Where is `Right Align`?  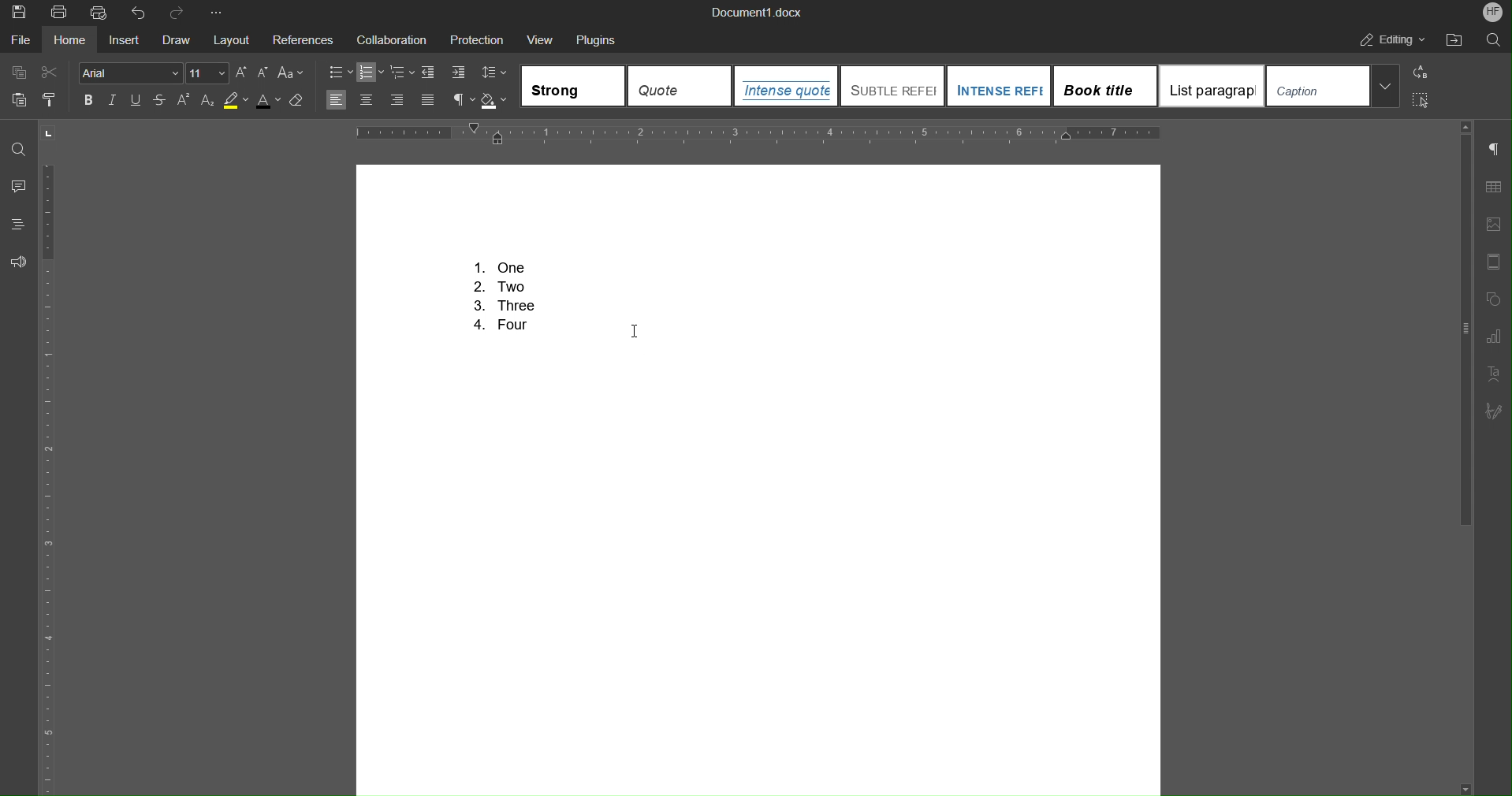
Right Align is located at coordinates (397, 101).